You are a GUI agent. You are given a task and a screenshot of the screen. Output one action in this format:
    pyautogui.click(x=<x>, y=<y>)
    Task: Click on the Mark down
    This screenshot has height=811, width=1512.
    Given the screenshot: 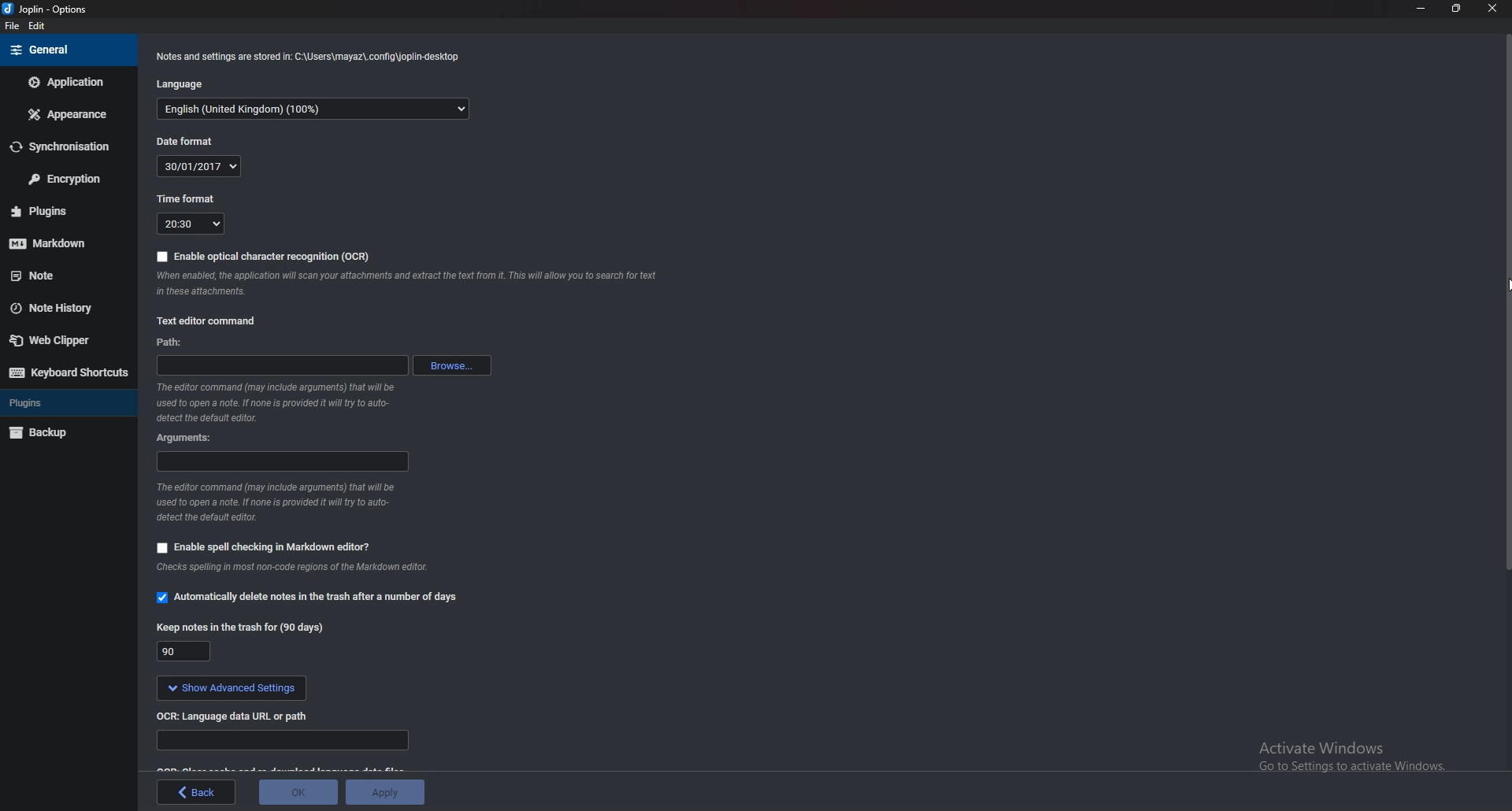 What is the action you would take?
    pyautogui.click(x=59, y=243)
    